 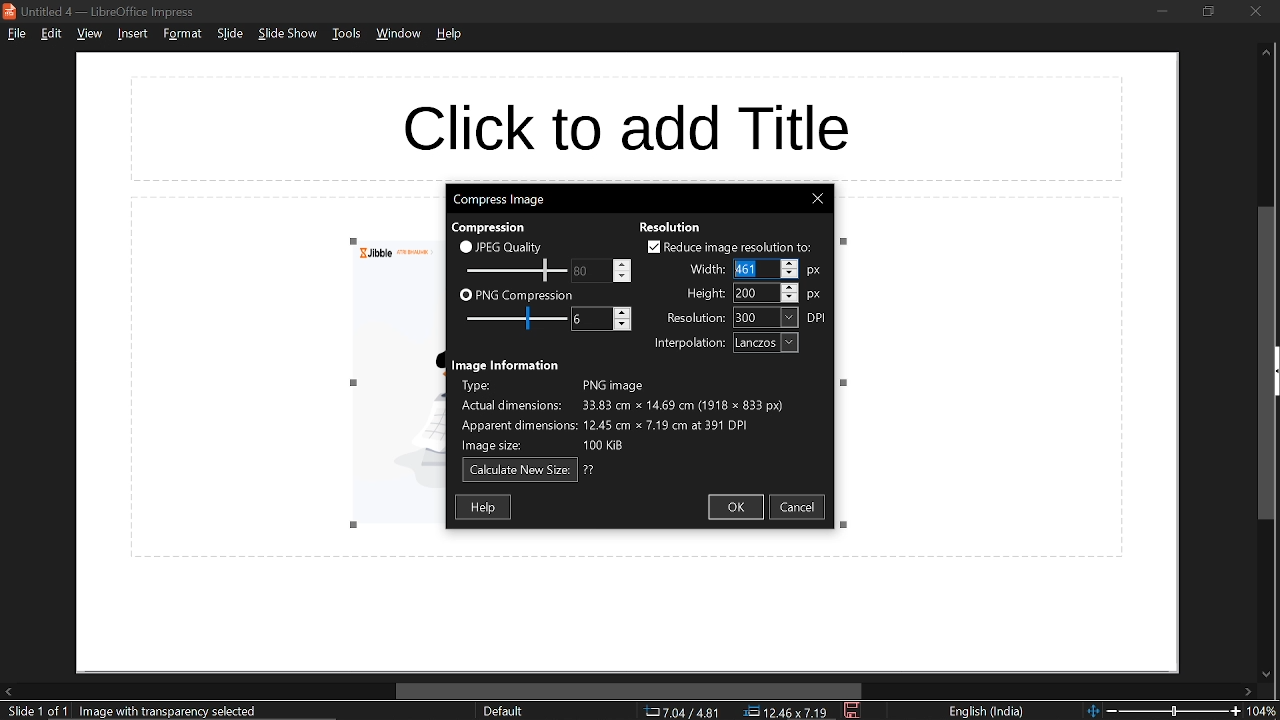 I want to click on text, so click(x=671, y=225).